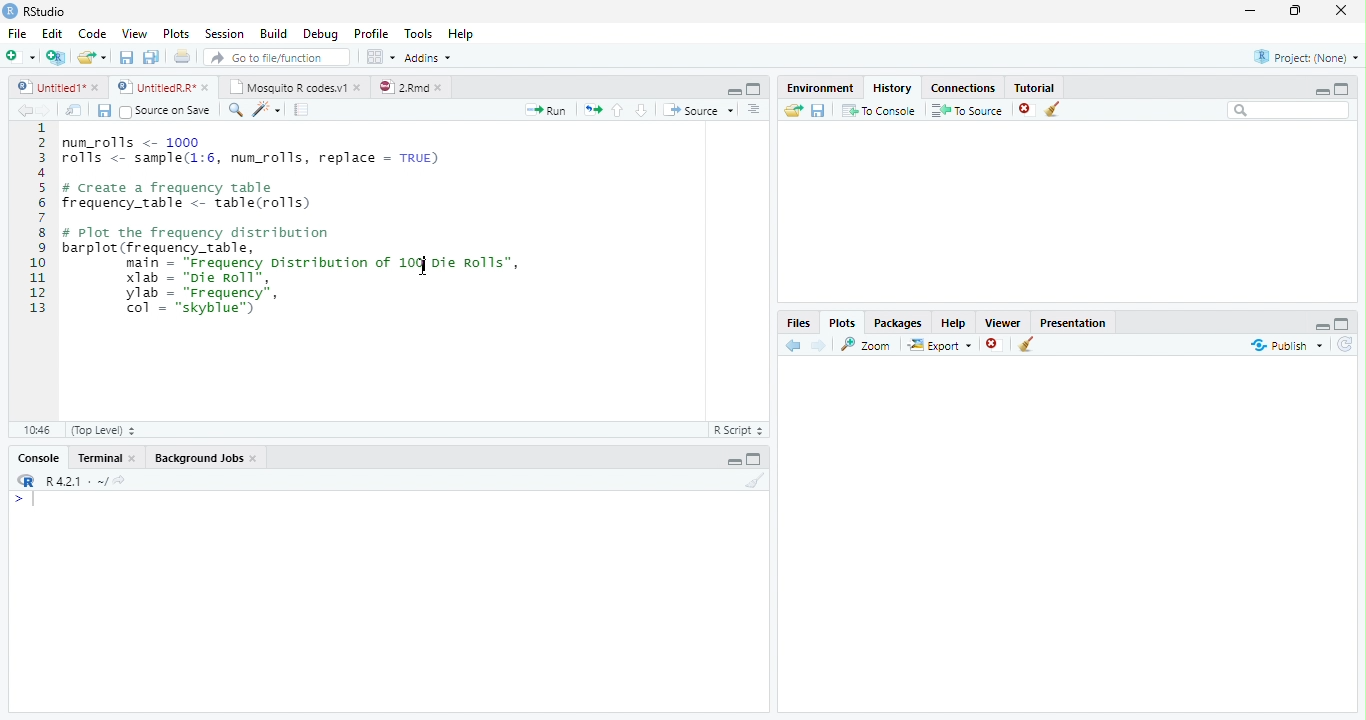 Image resolution: width=1366 pixels, height=720 pixels. Describe the element at coordinates (22, 110) in the screenshot. I see `Previous Source Location` at that location.